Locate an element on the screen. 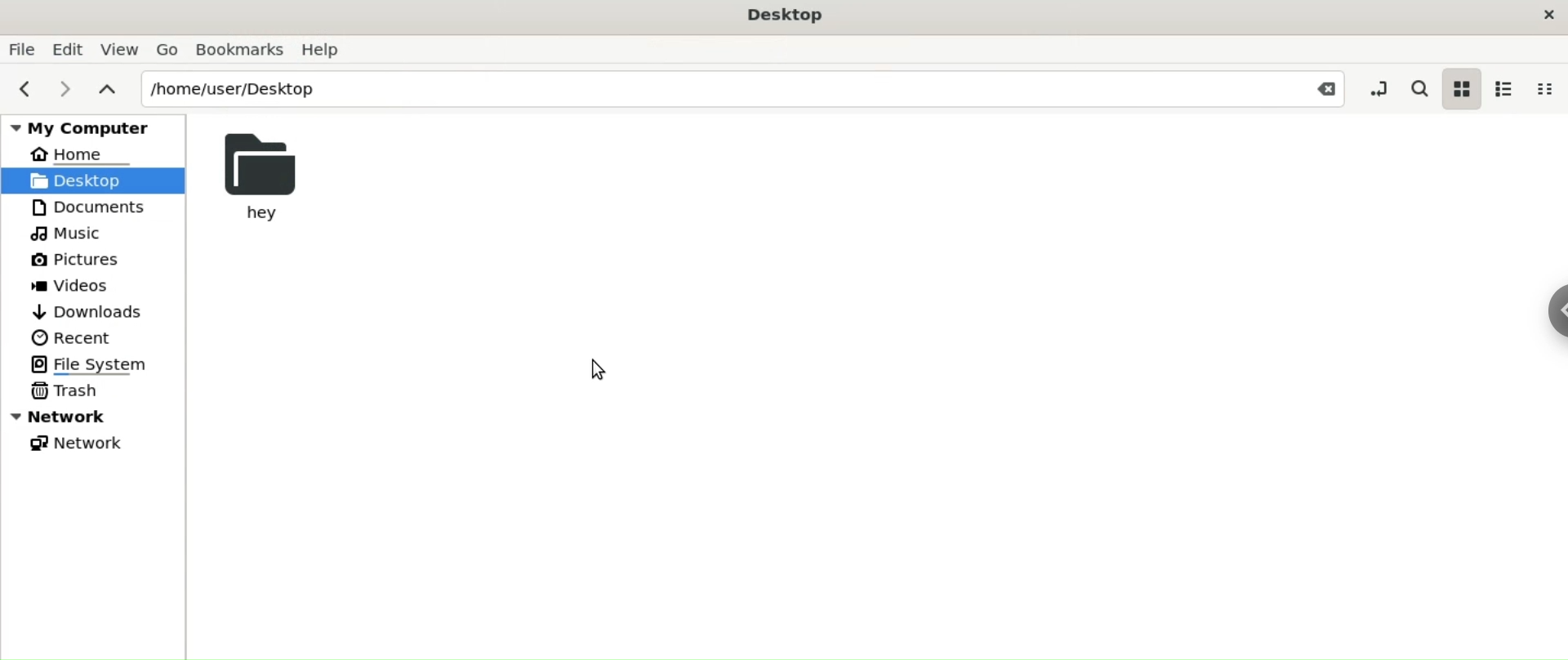 The image size is (1568, 660). Help is located at coordinates (331, 51).